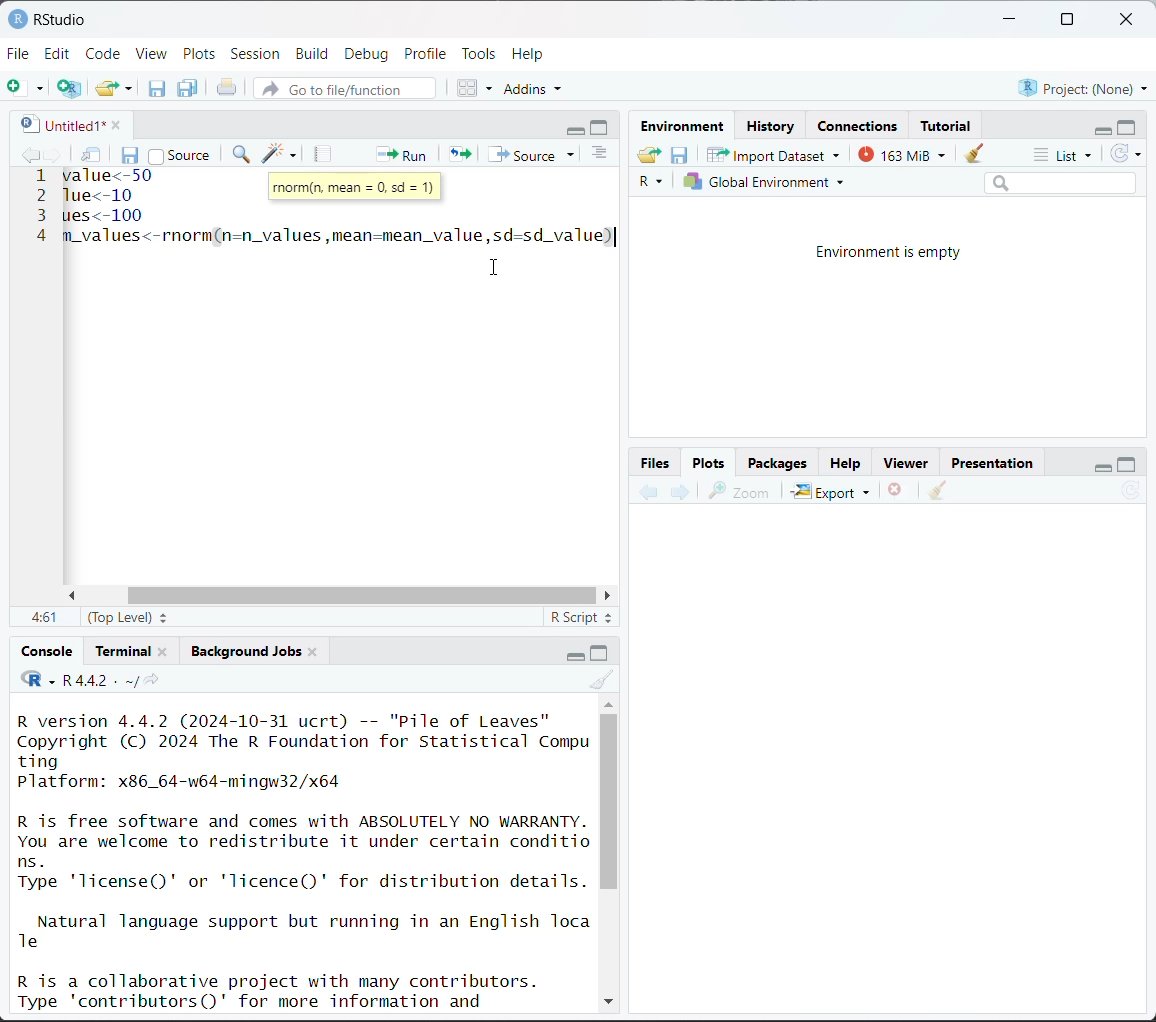  What do you see at coordinates (131, 153) in the screenshot?
I see `save current document` at bounding box center [131, 153].